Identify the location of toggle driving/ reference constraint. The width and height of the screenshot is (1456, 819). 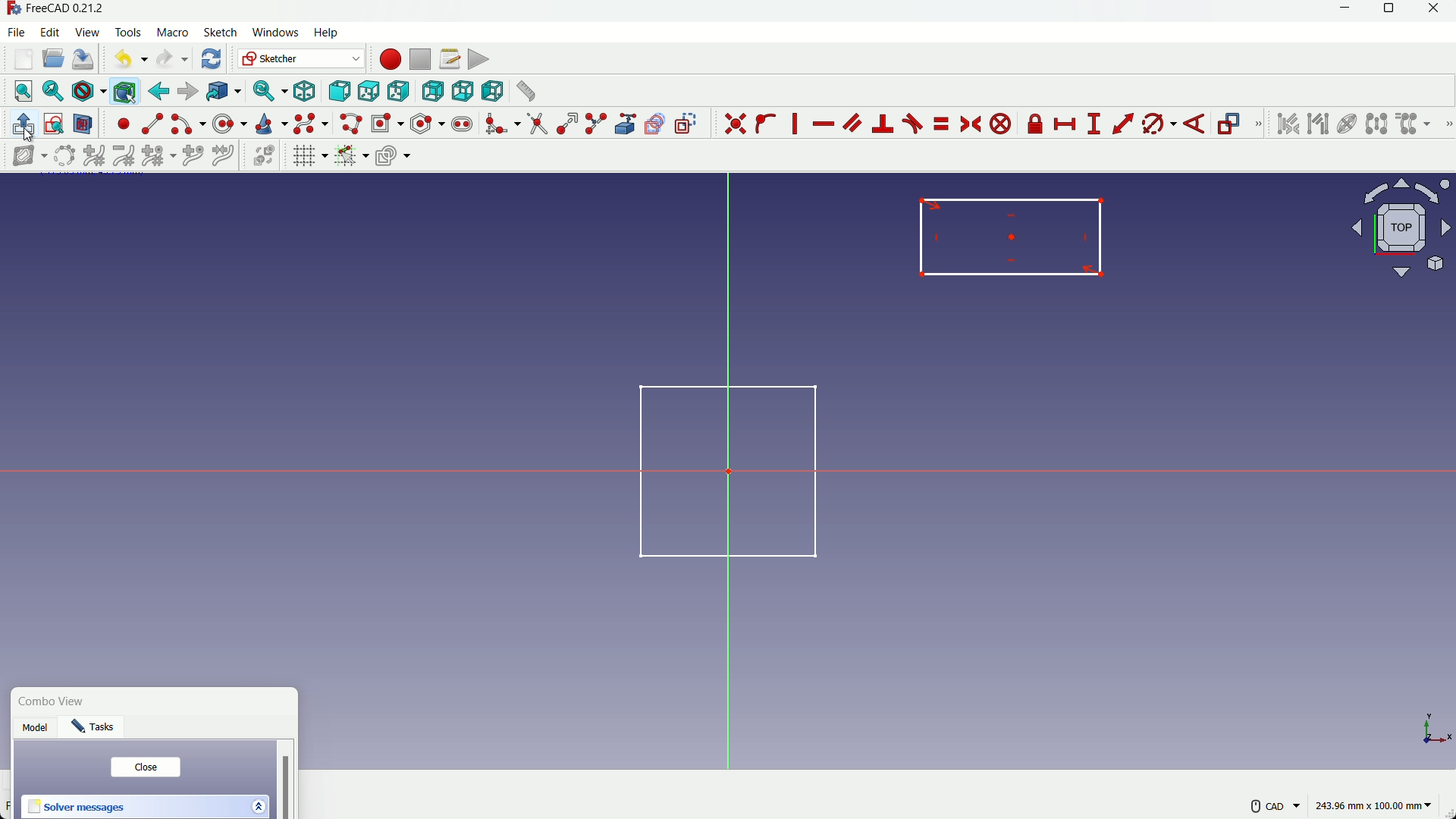
(1232, 125).